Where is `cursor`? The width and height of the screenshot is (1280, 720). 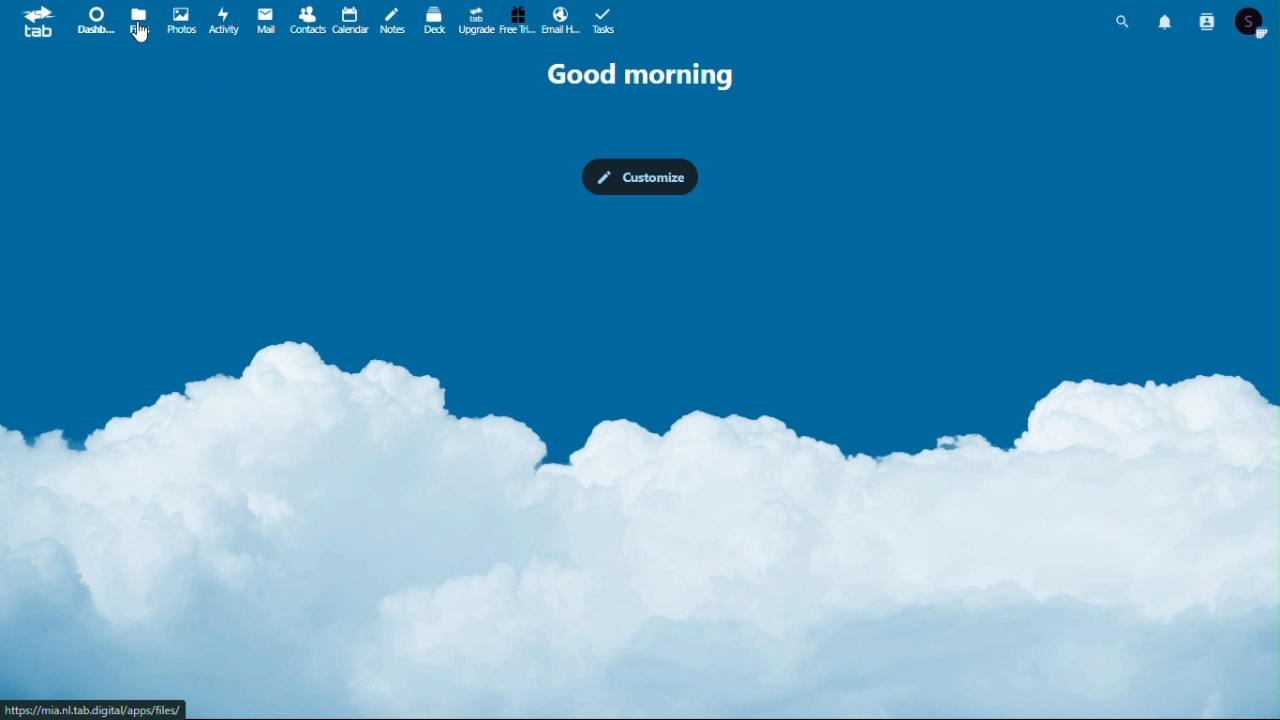
cursor is located at coordinates (140, 35).